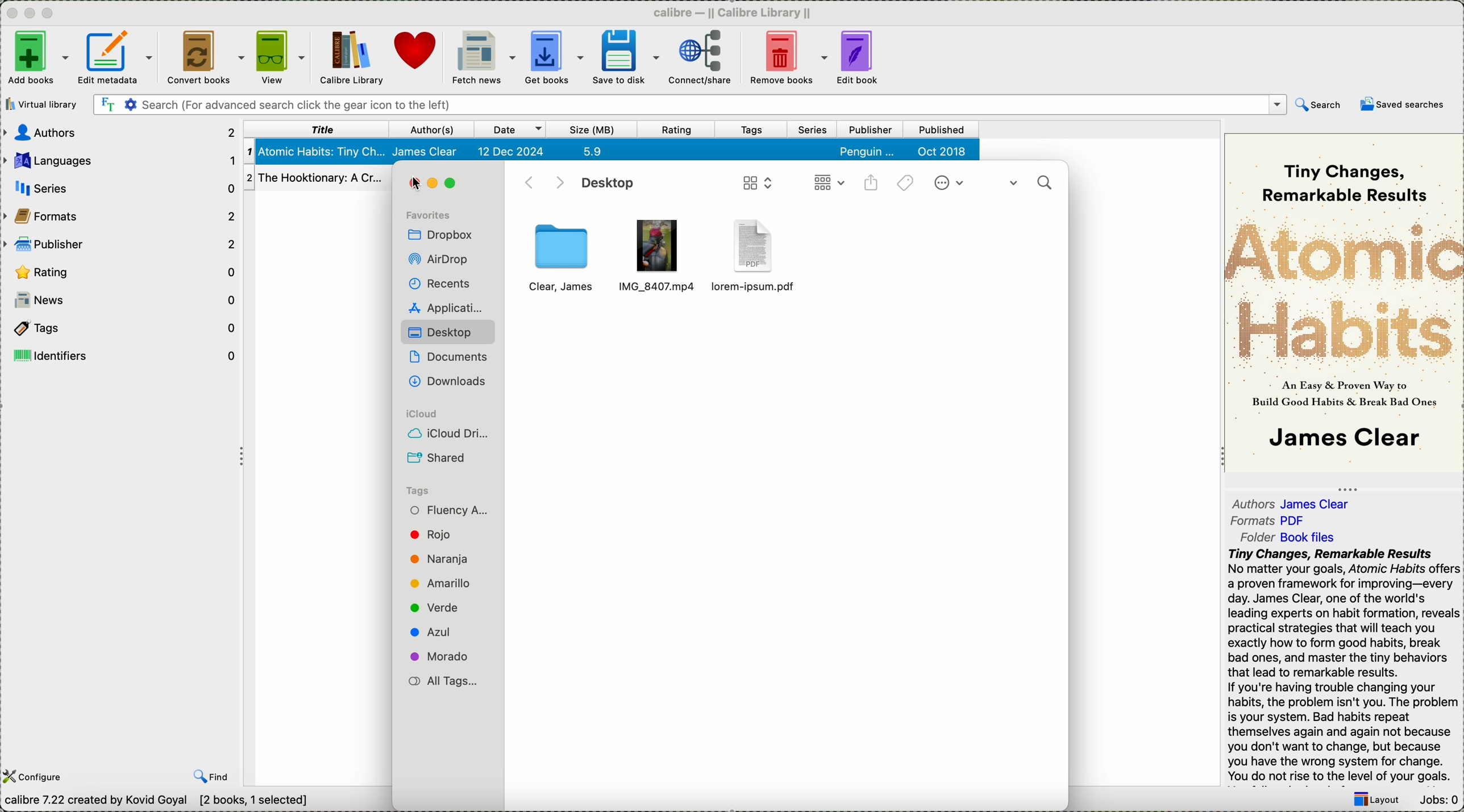 The image size is (1464, 812). Describe the element at coordinates (444, 431) in the screenshot. I see `cloud` at that location.